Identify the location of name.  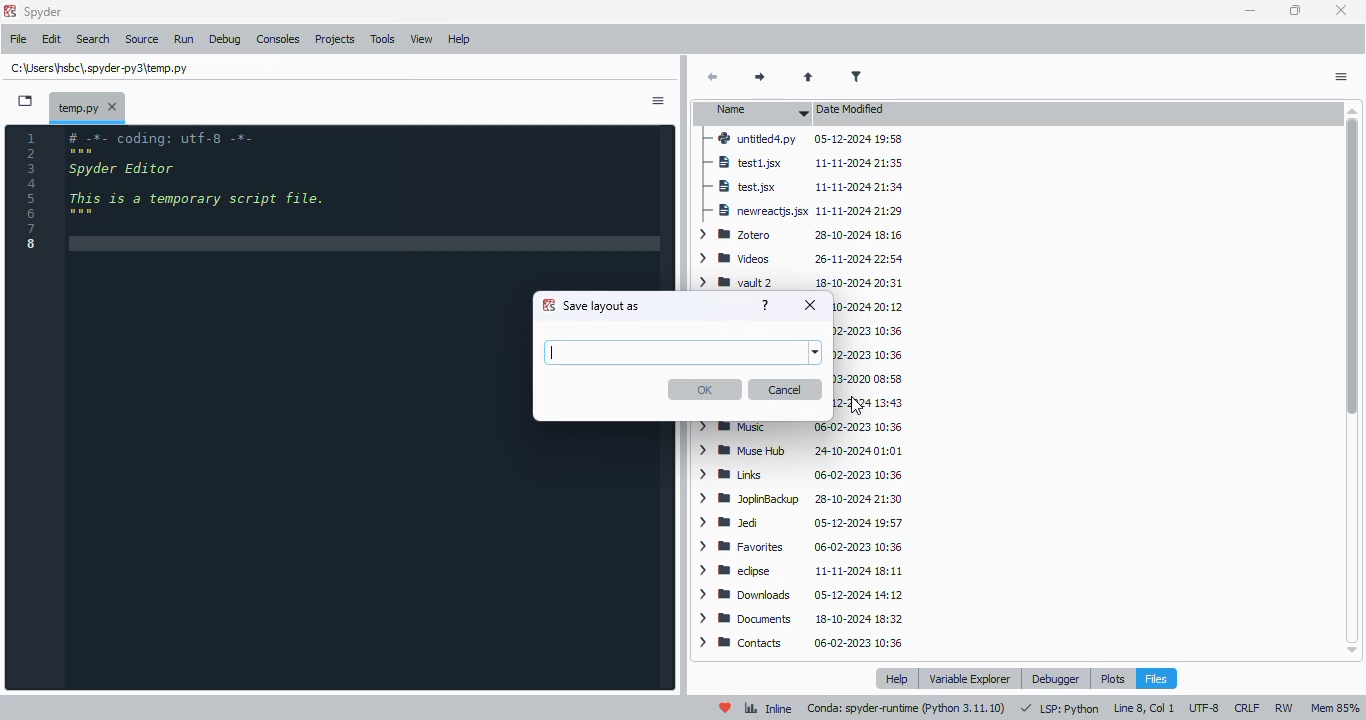
(756, 113).